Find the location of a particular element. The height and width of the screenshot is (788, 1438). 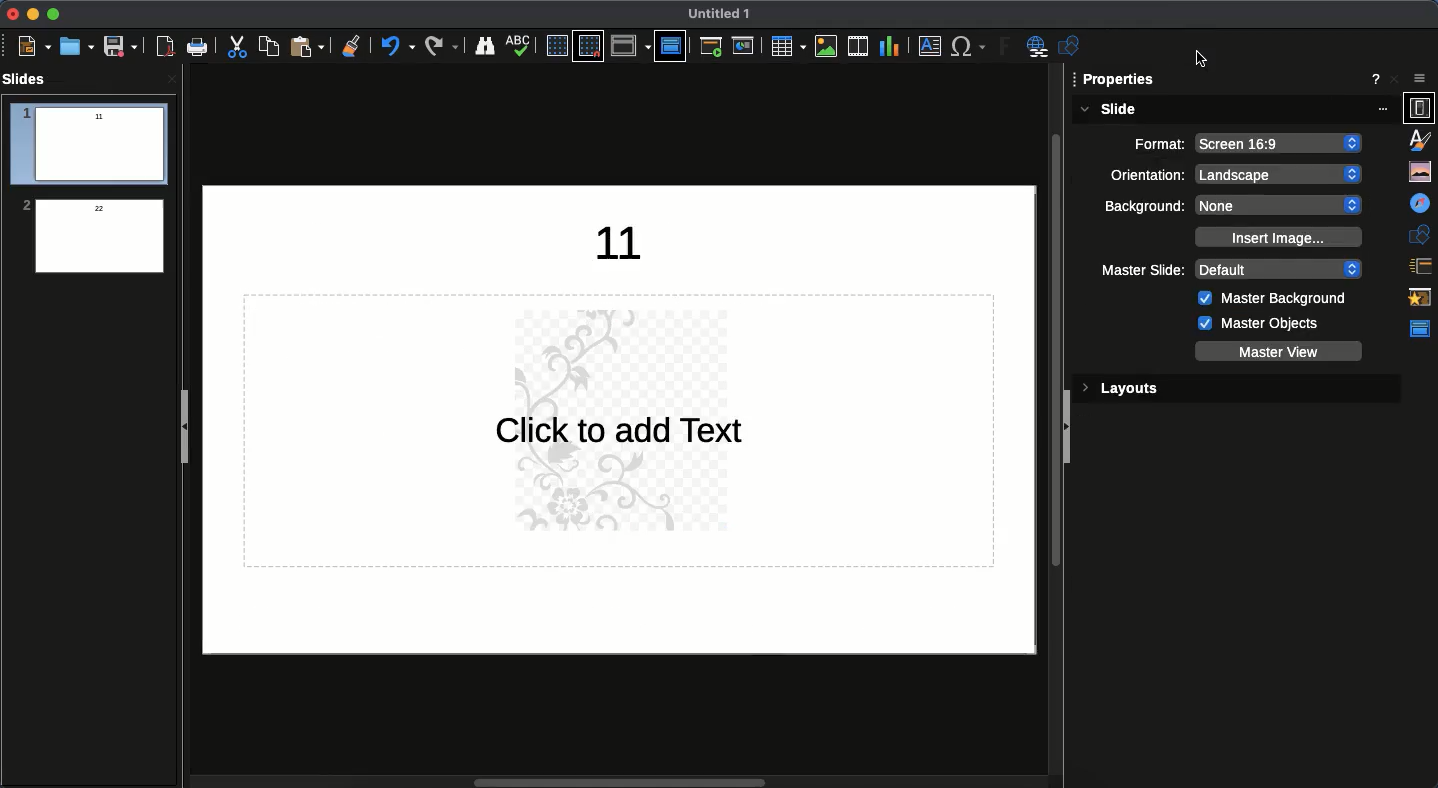

Print is located at coordinates (198, 47).